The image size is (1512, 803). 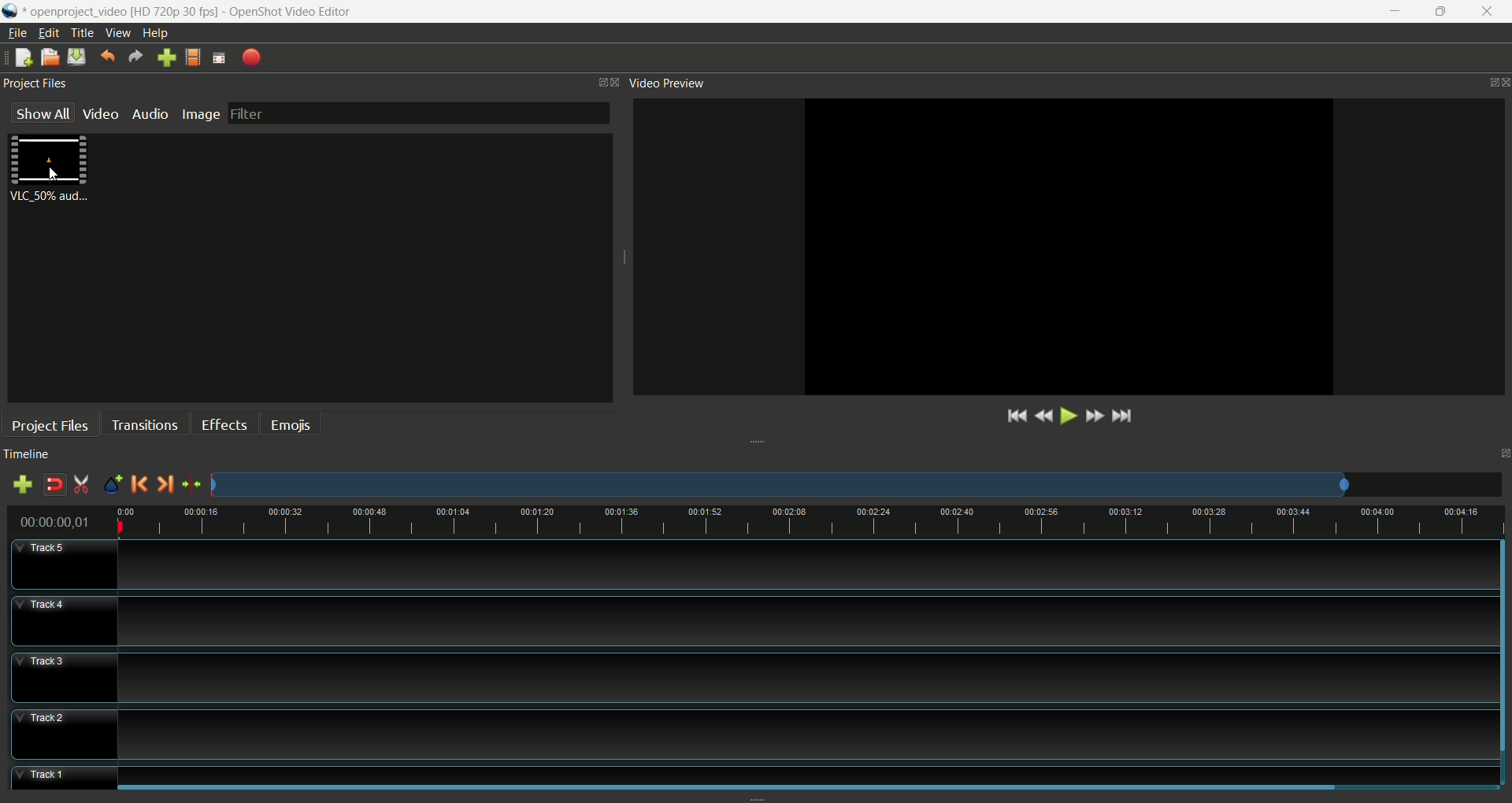 What do you see at coordinates (40, 113) in the screenshot?
I see `show all` at bounding box center [40, 113].